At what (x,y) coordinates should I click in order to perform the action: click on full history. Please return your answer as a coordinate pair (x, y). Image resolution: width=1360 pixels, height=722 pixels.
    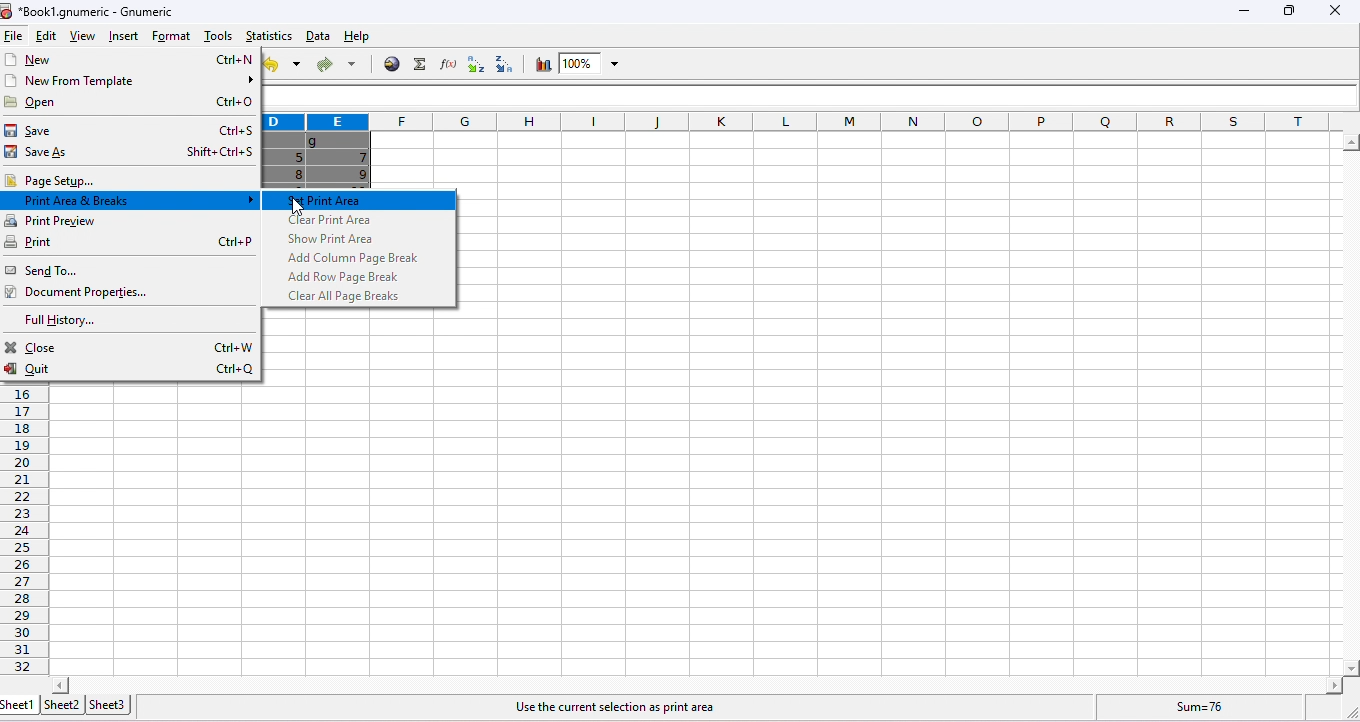
    Looking at the image, I should click on (68, 322).